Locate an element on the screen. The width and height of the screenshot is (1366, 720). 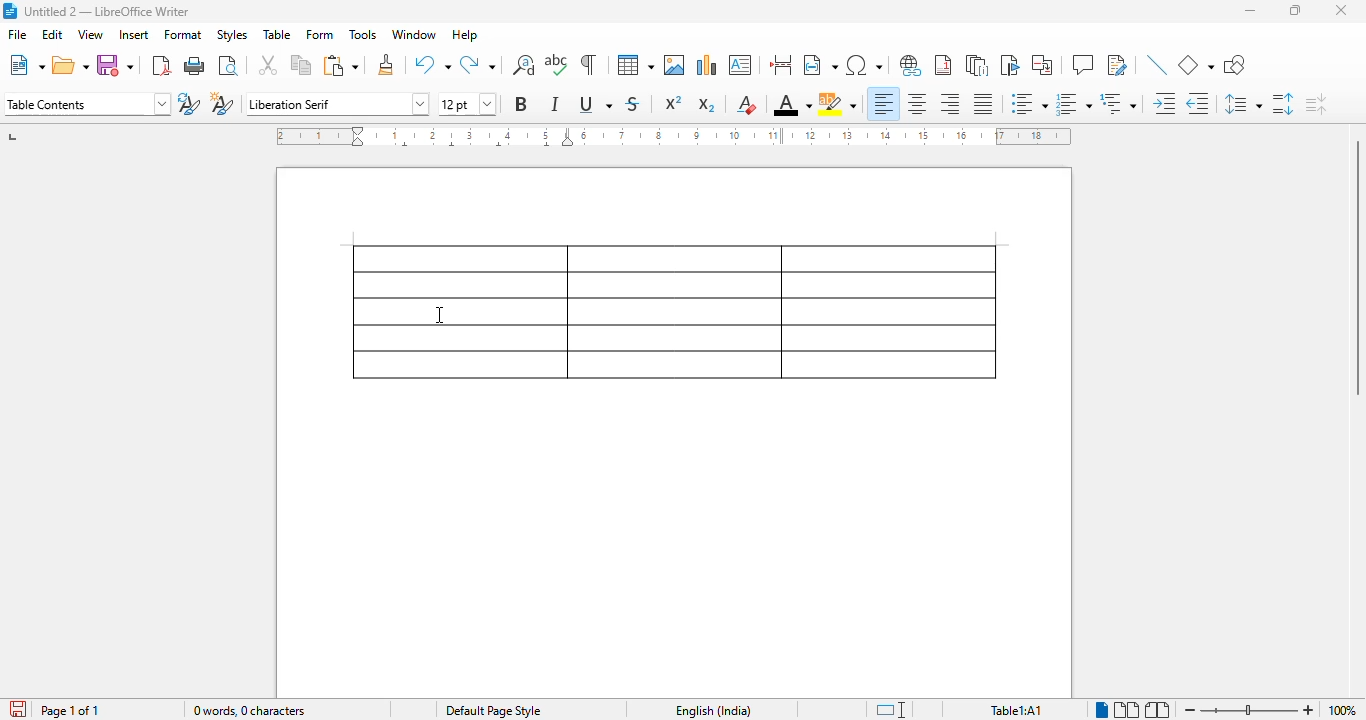
file is located at coordinates (16, 35).